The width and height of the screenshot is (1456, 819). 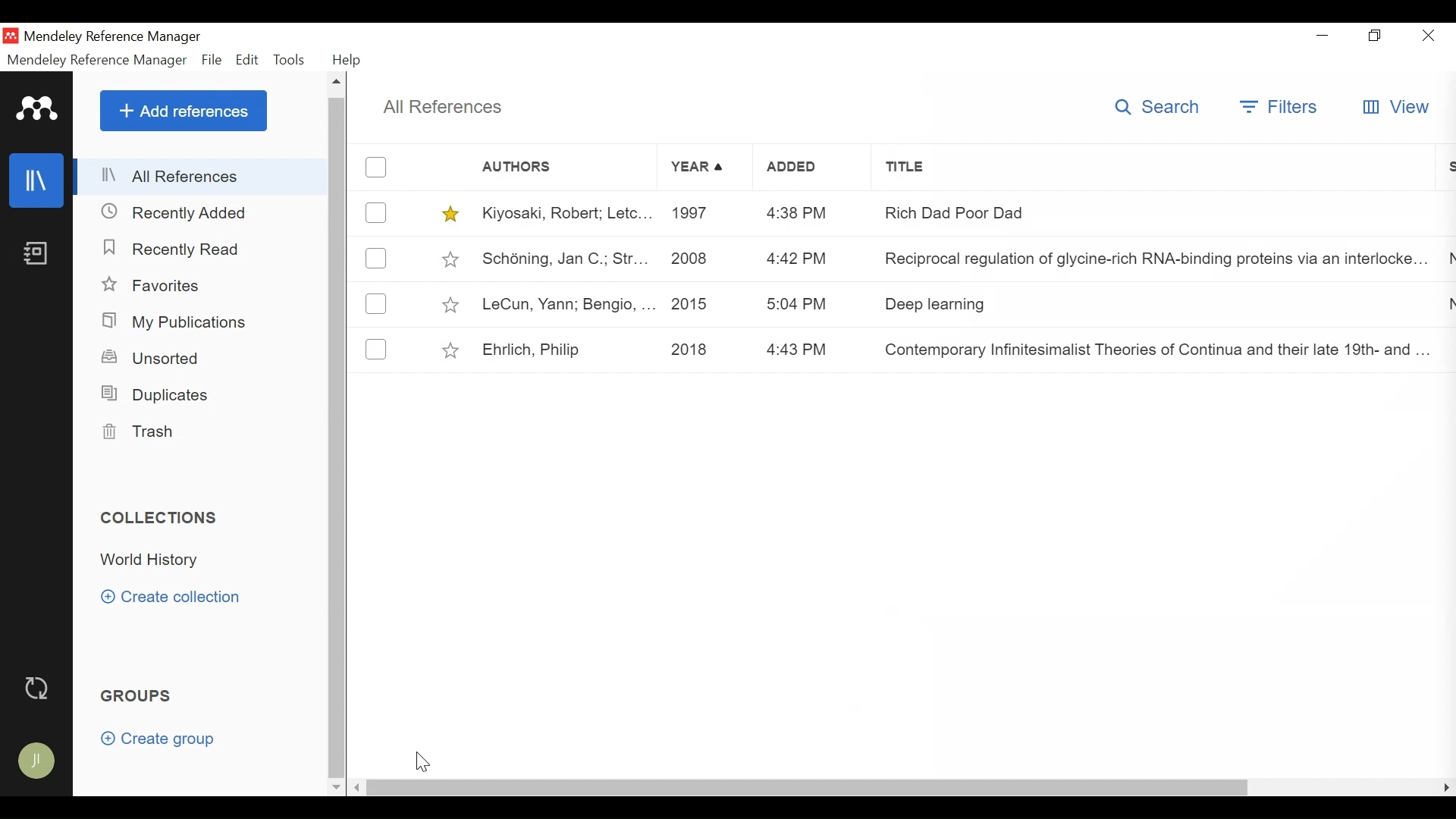 What do you see at coordinates (535, 168) in the screenshot?
I see `Authors` at bounding box center [535, 168].